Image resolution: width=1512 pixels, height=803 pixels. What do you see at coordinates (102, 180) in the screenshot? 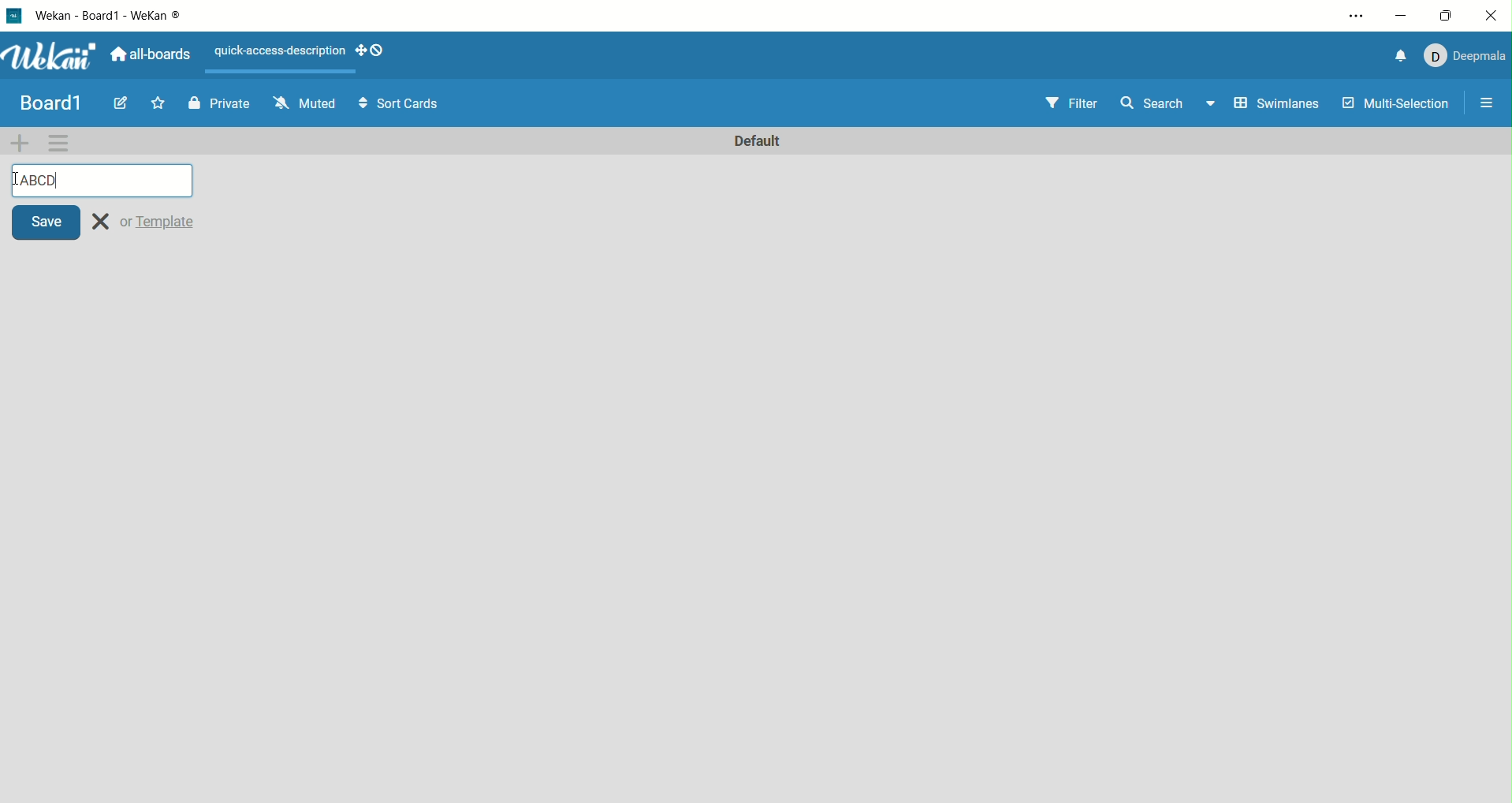
I see `list title` at bounding box center [102, 180].